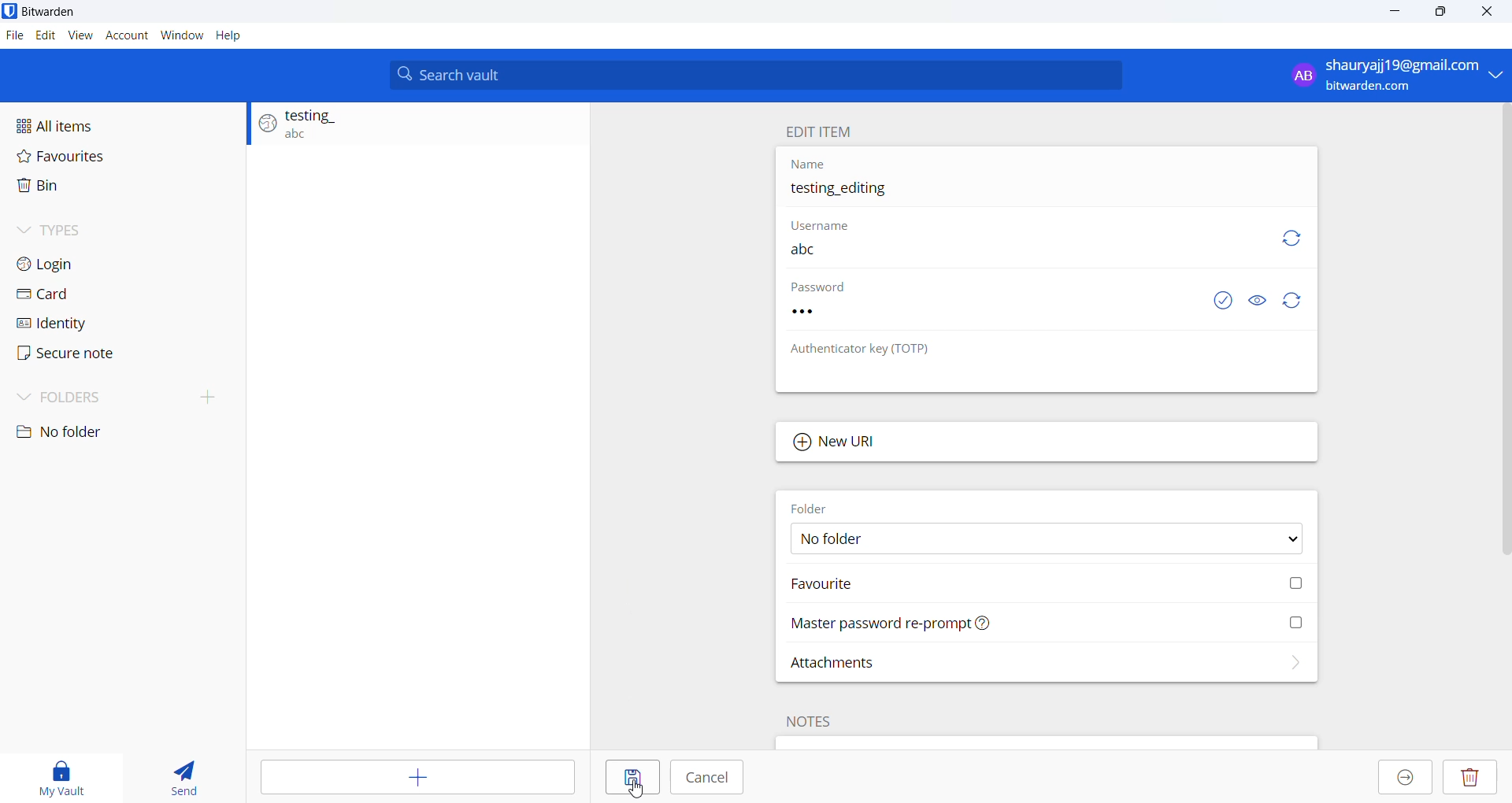  Describe the element at coordinates (996, 255) in the screenshot. I see `User name` at that location.